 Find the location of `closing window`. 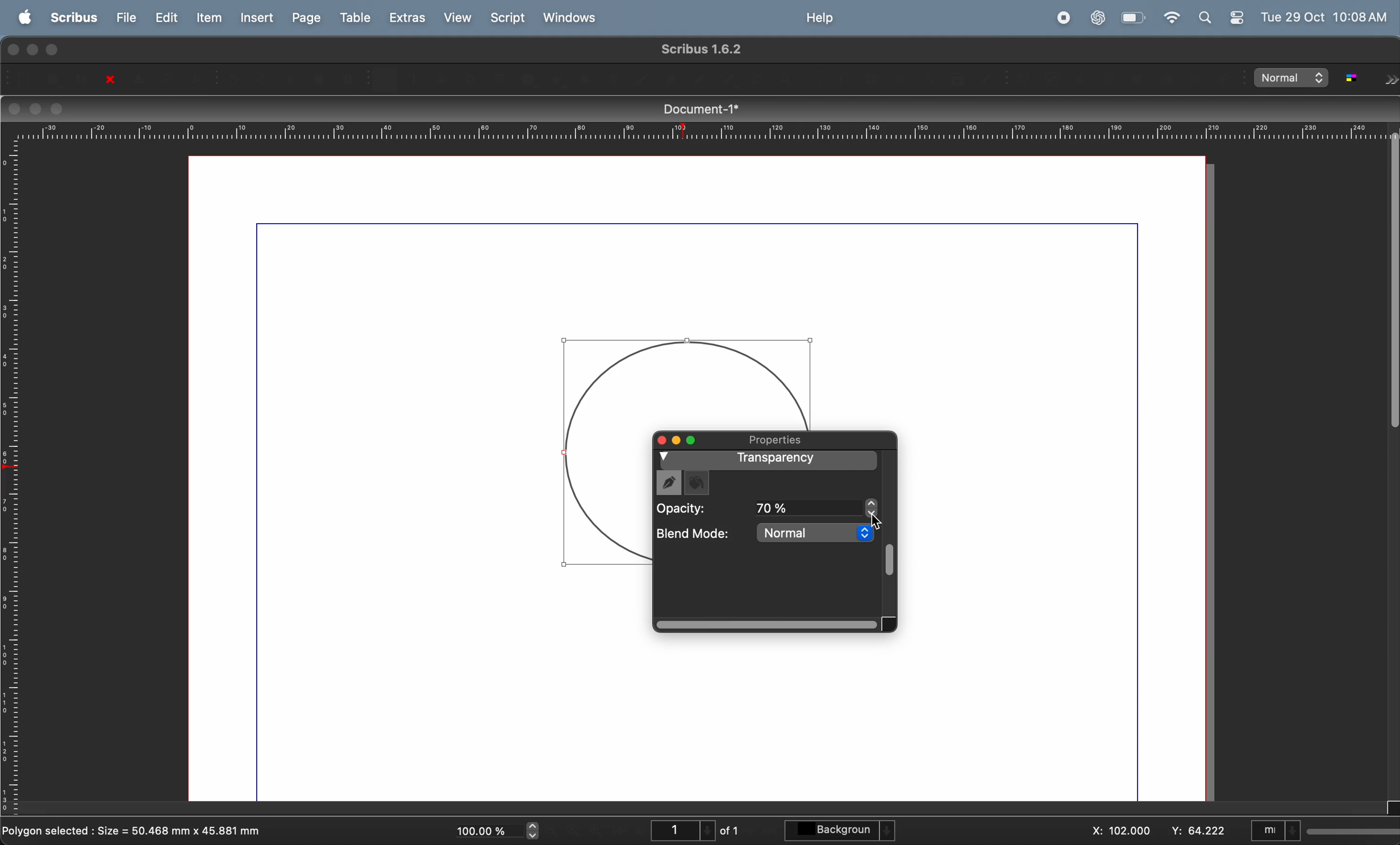

closing window is located at coordinates (13, 49).